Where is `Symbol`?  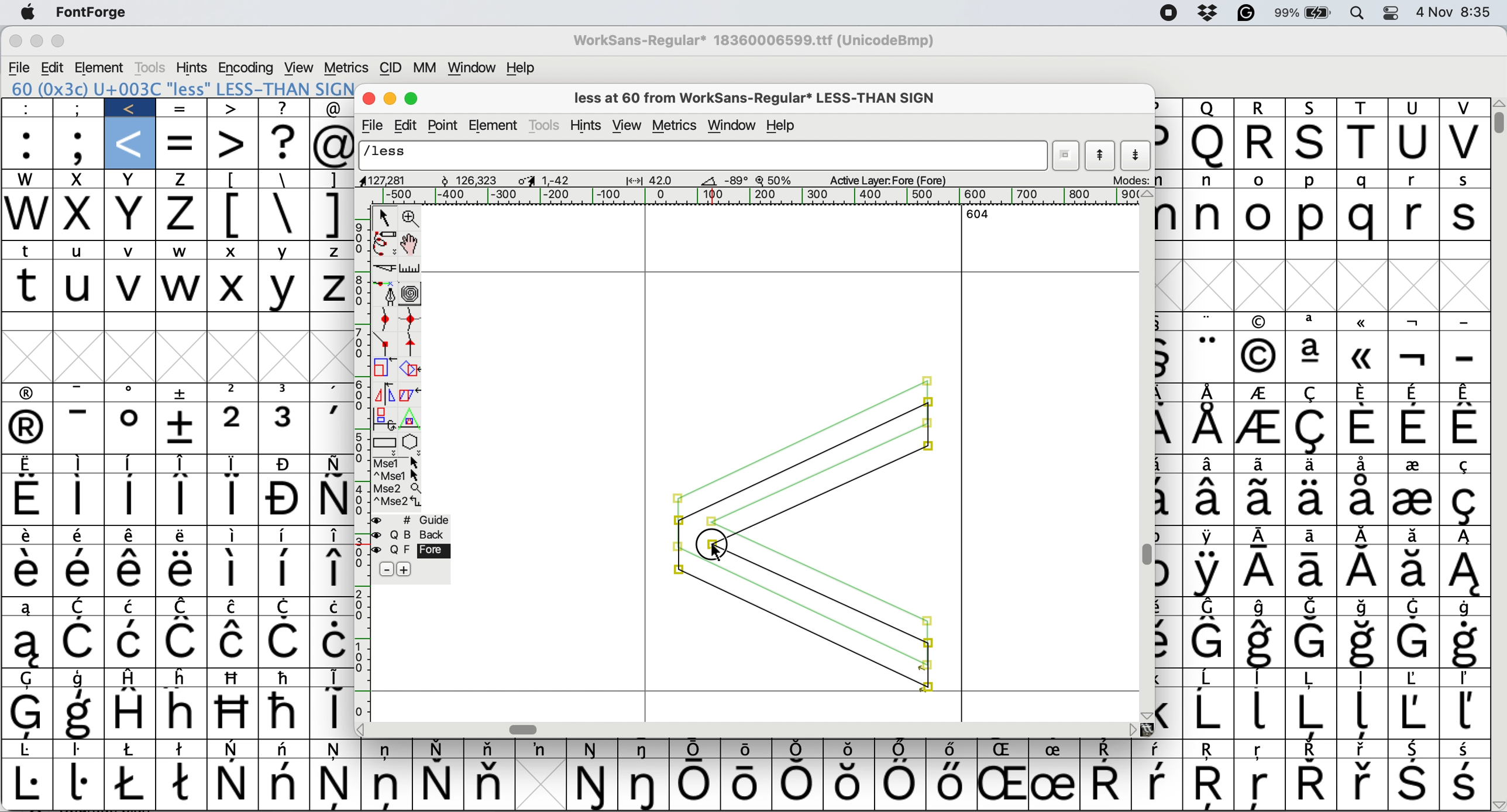
Symbol is located at coordinates (1315, 573).